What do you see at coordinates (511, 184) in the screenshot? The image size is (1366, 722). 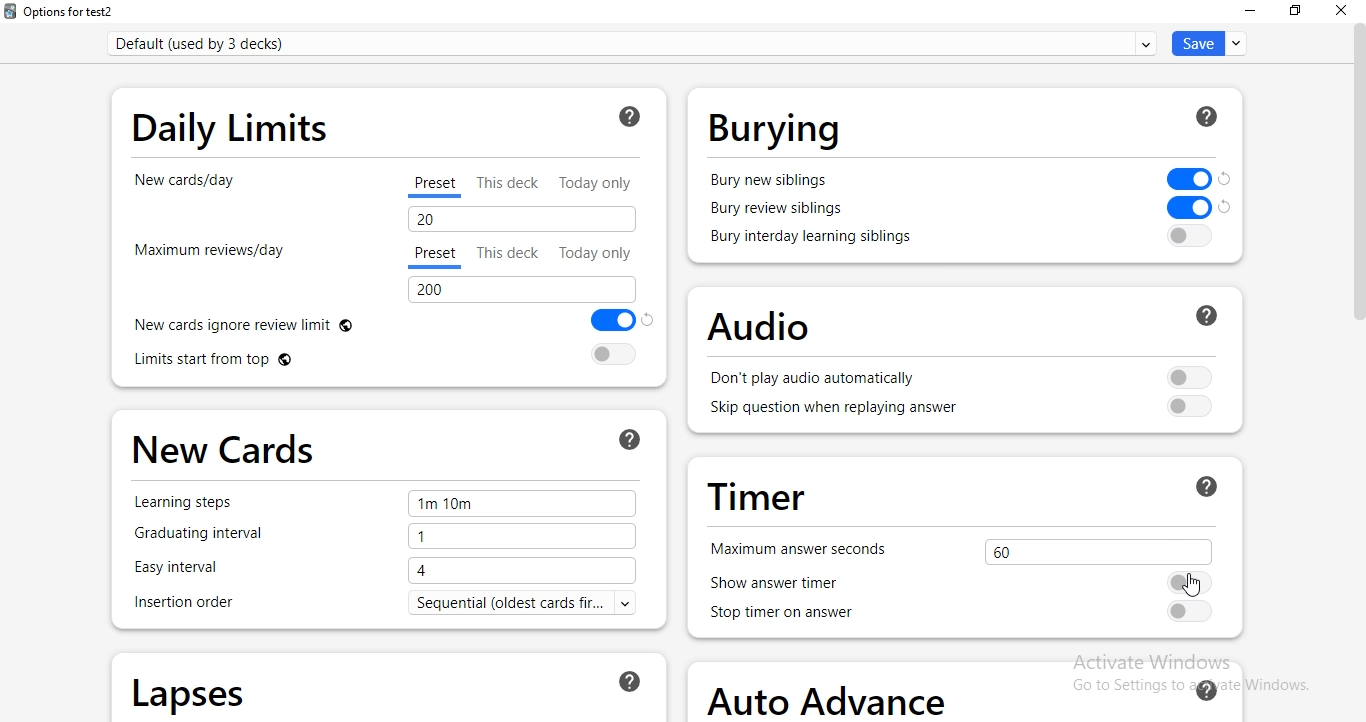 I see `This deck` at bounding box center [511, 184].